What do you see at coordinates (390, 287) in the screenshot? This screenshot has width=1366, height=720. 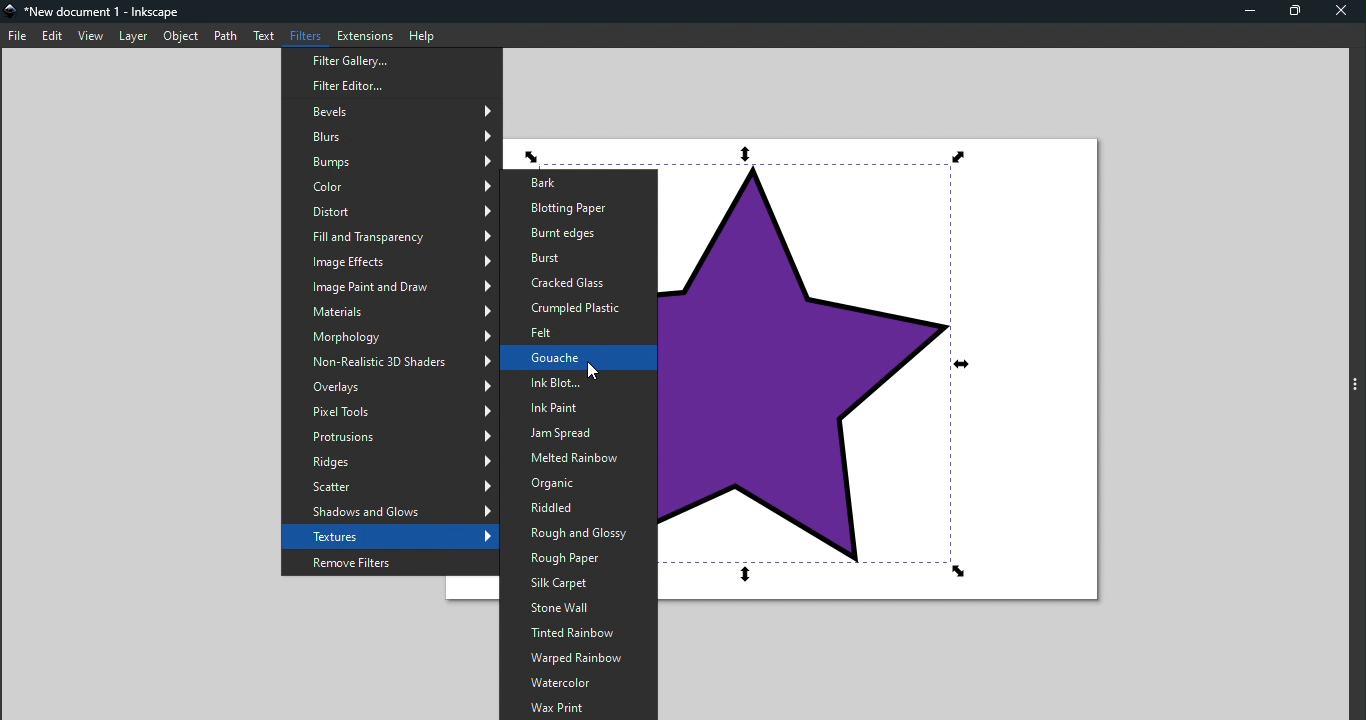 I see `Image Paint and draw` at bounding box center [390, 287].